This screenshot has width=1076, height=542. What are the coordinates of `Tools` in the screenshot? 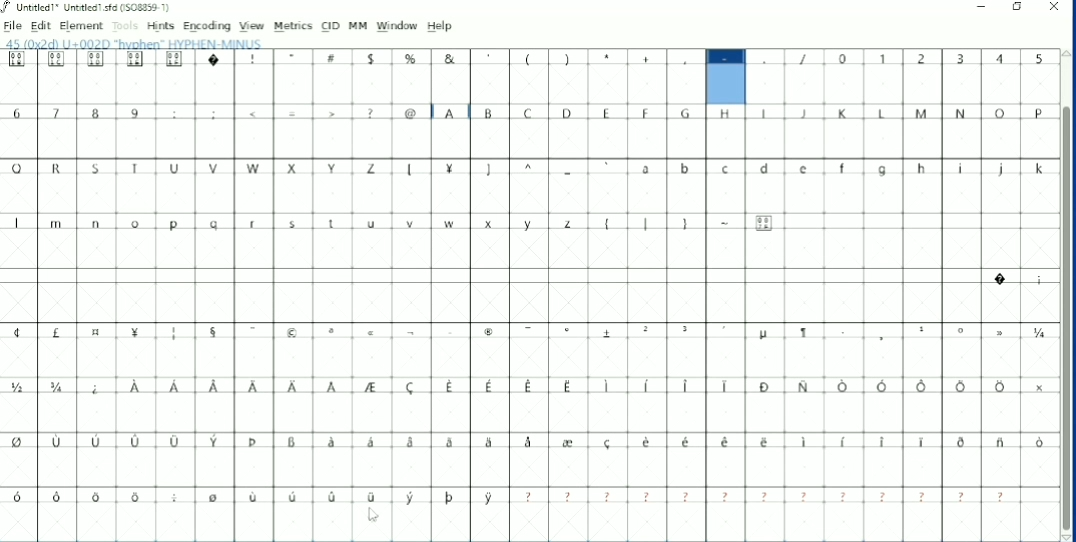 It's located at (125, 27).